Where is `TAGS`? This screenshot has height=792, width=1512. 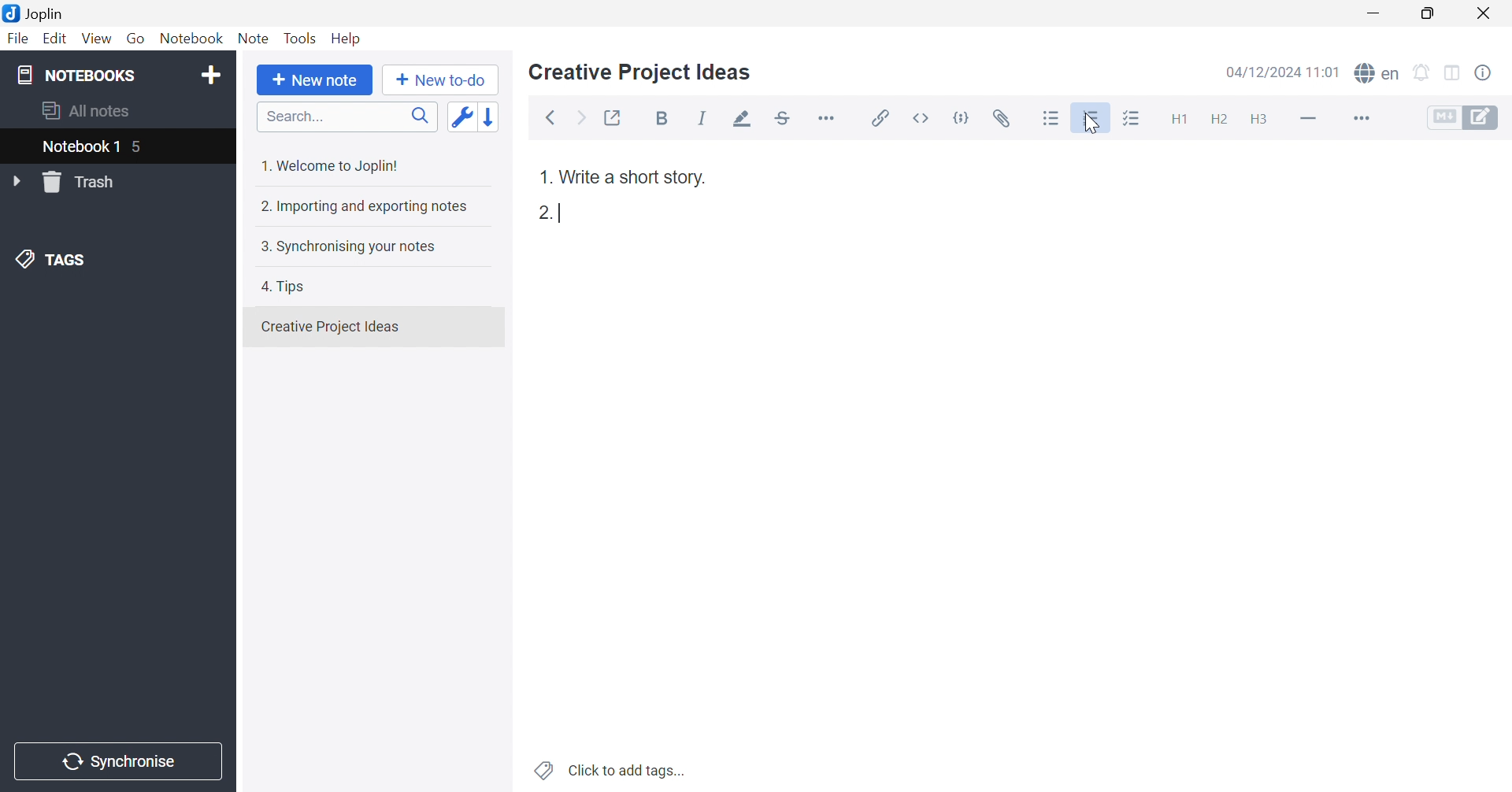 TAGS is located at coordinates (51, 261).